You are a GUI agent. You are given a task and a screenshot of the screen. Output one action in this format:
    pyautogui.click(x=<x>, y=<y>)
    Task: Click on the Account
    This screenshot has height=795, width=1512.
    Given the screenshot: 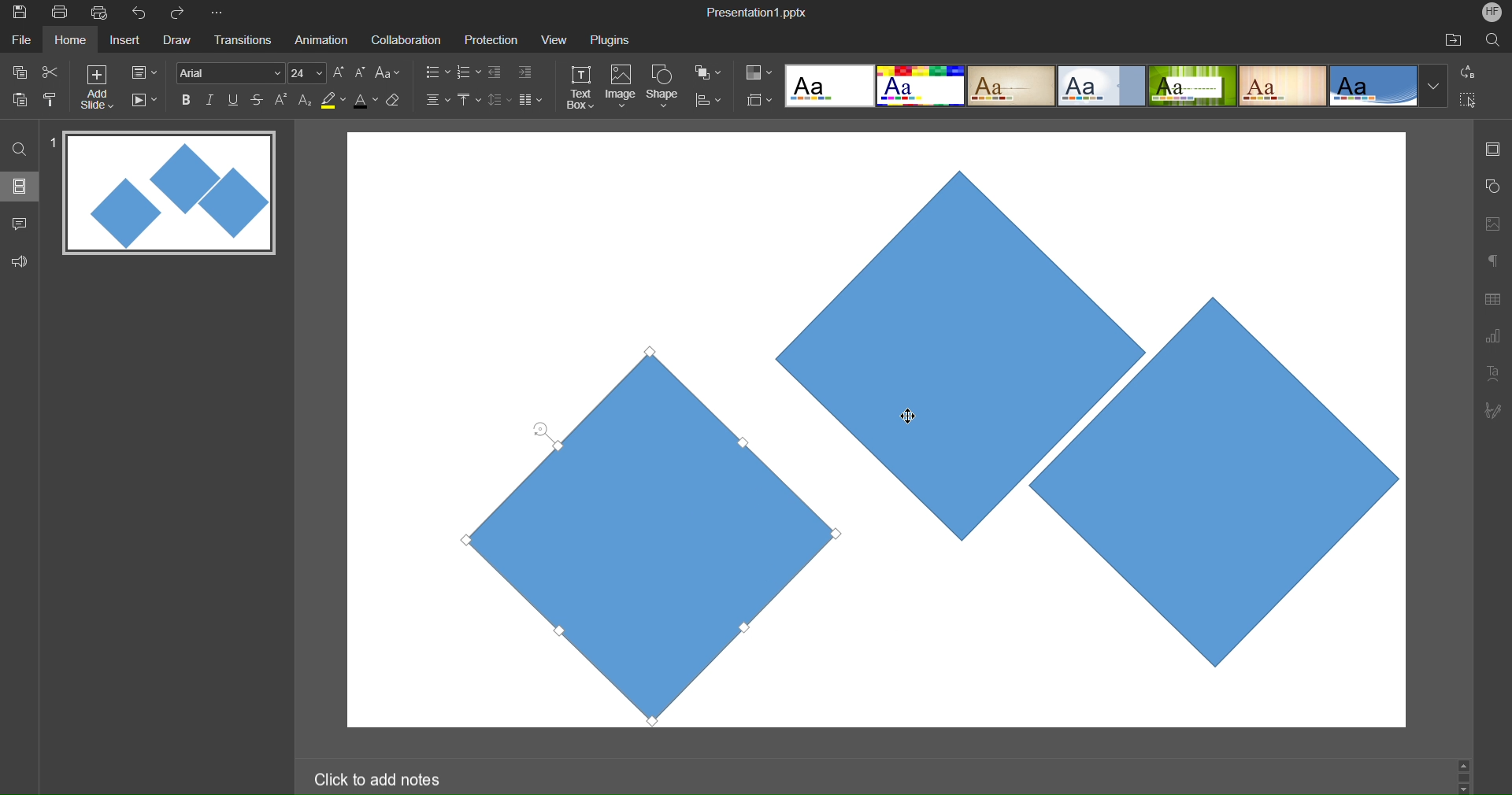 What is the action you would take?
    pyautogui.click(x=1492, y=12)
    